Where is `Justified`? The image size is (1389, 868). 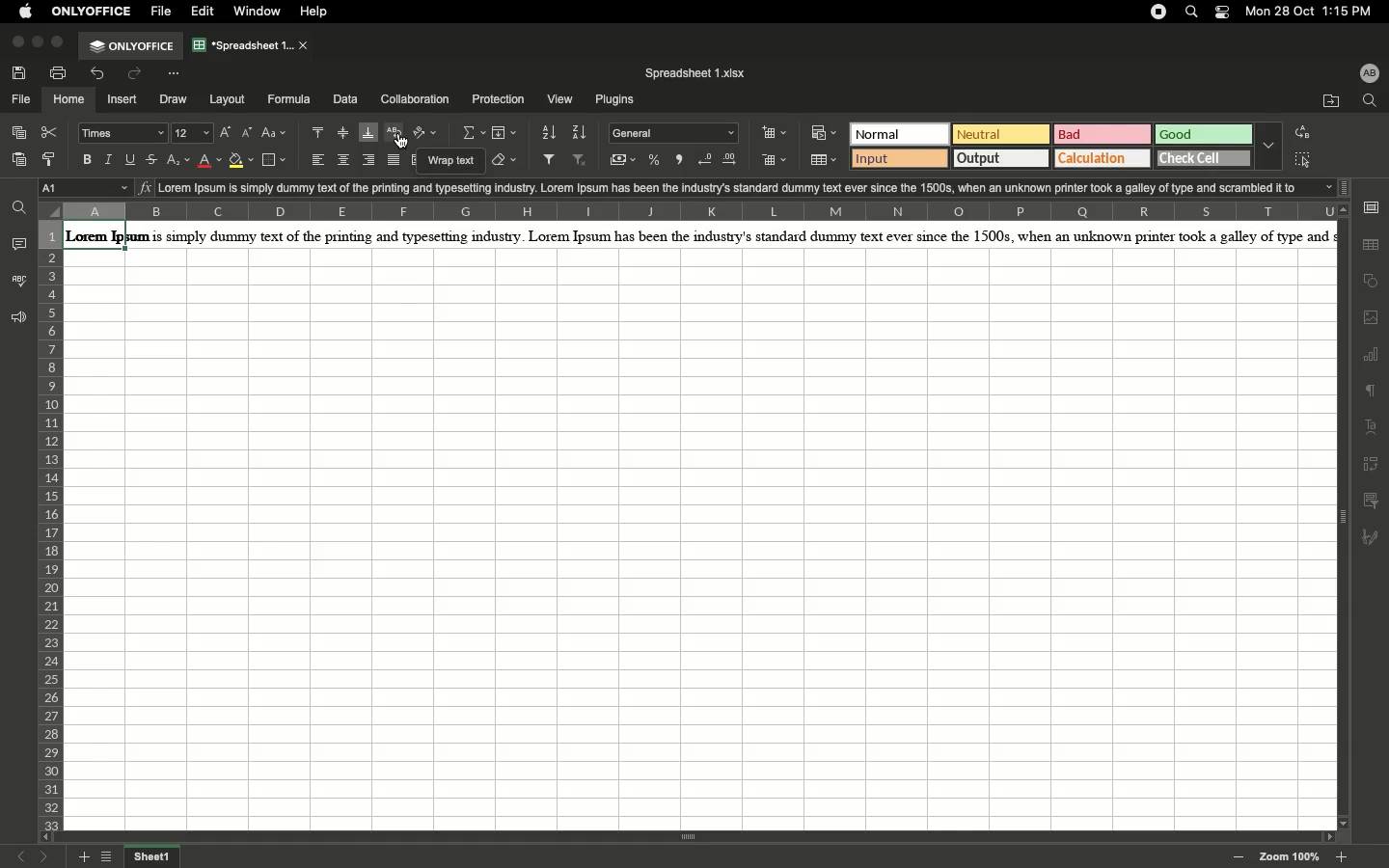 Justified is located at coordinates (397, 159).